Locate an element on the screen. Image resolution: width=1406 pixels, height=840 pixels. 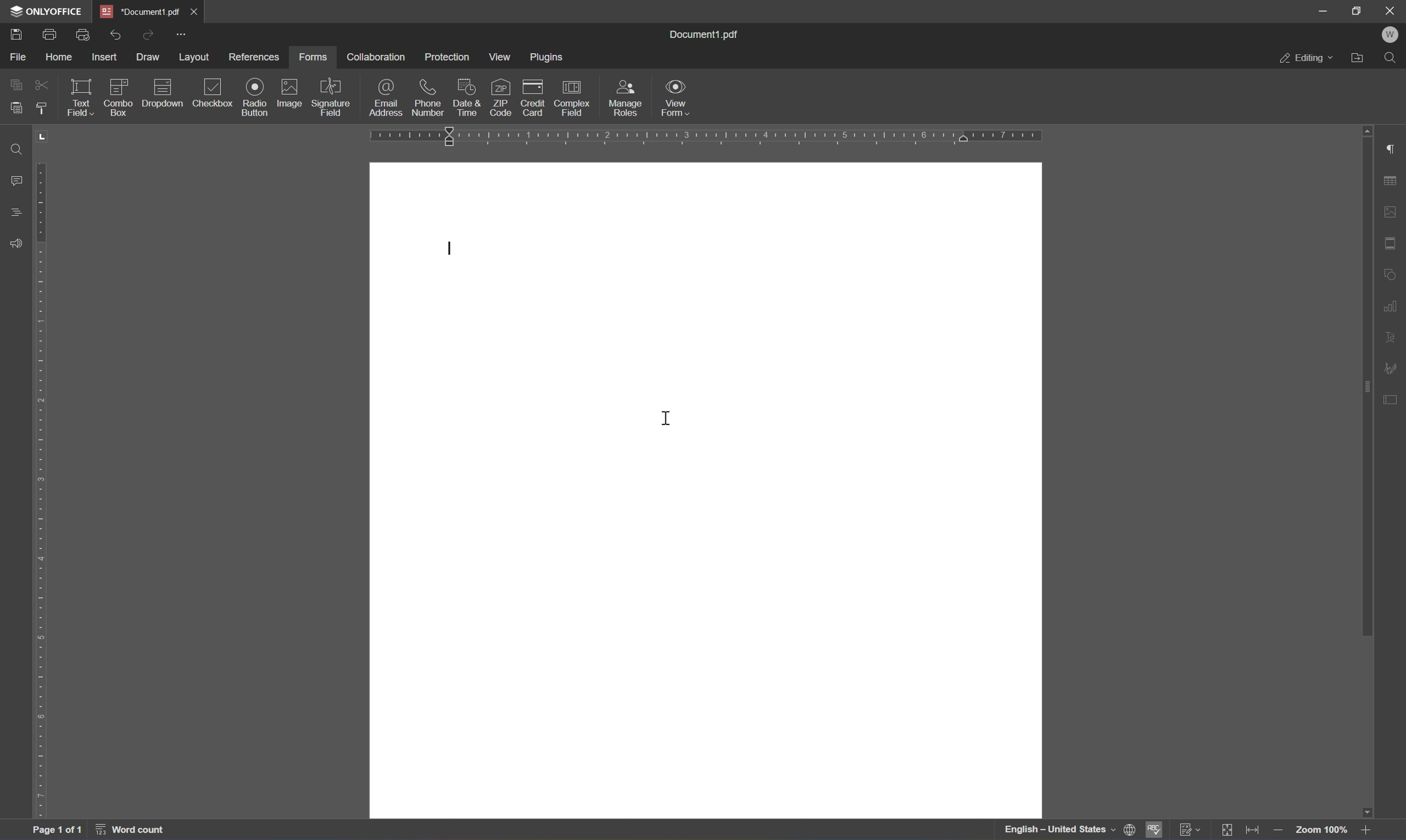
*document1.pdf is located at coordinates (138, 10).